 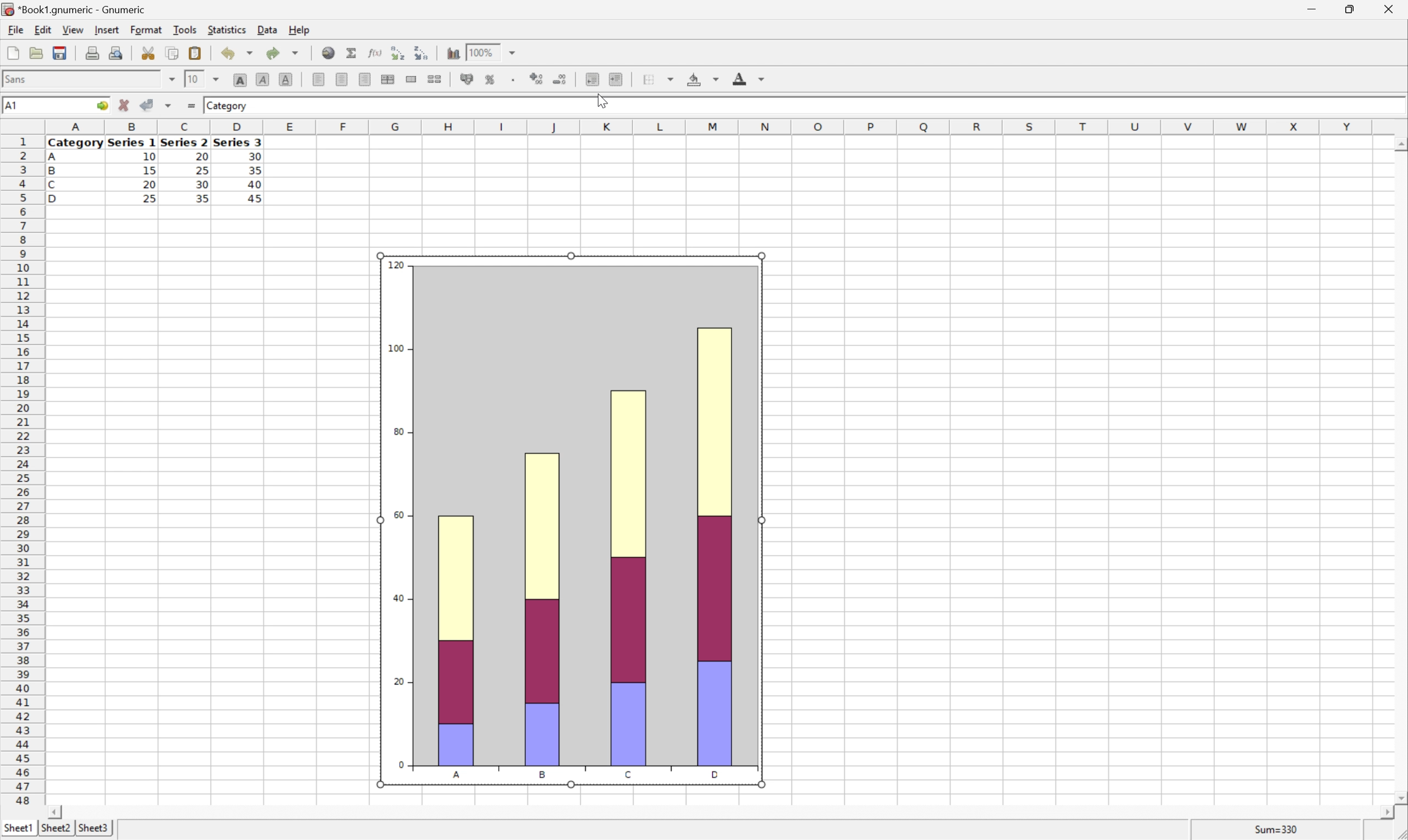 What do you see at coordinates (35, 53) in the screenshot?
I see `Open a file` at bounding box center [35, 53].